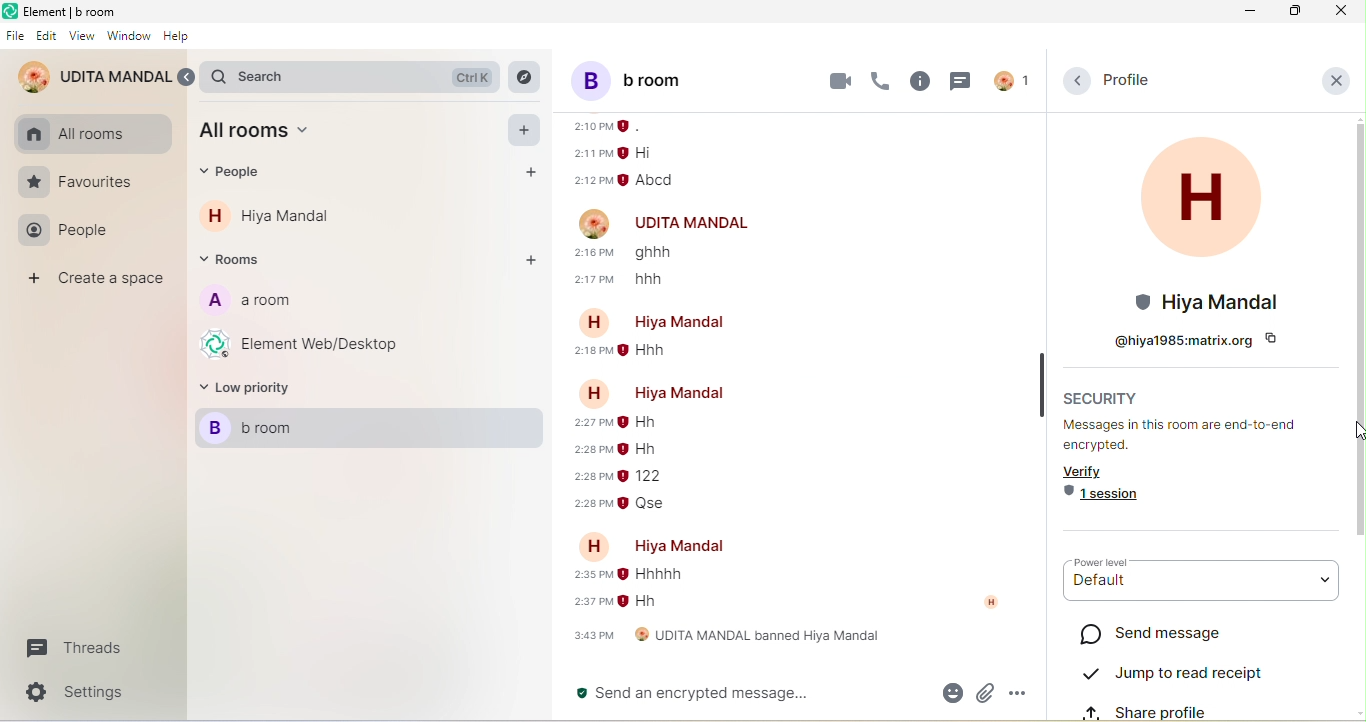 This screenshot has width=1366, height=722. What do you see at coordinates (583, 452) in the screenshot?
I see `sending message time` at bounding box center [583, 452].